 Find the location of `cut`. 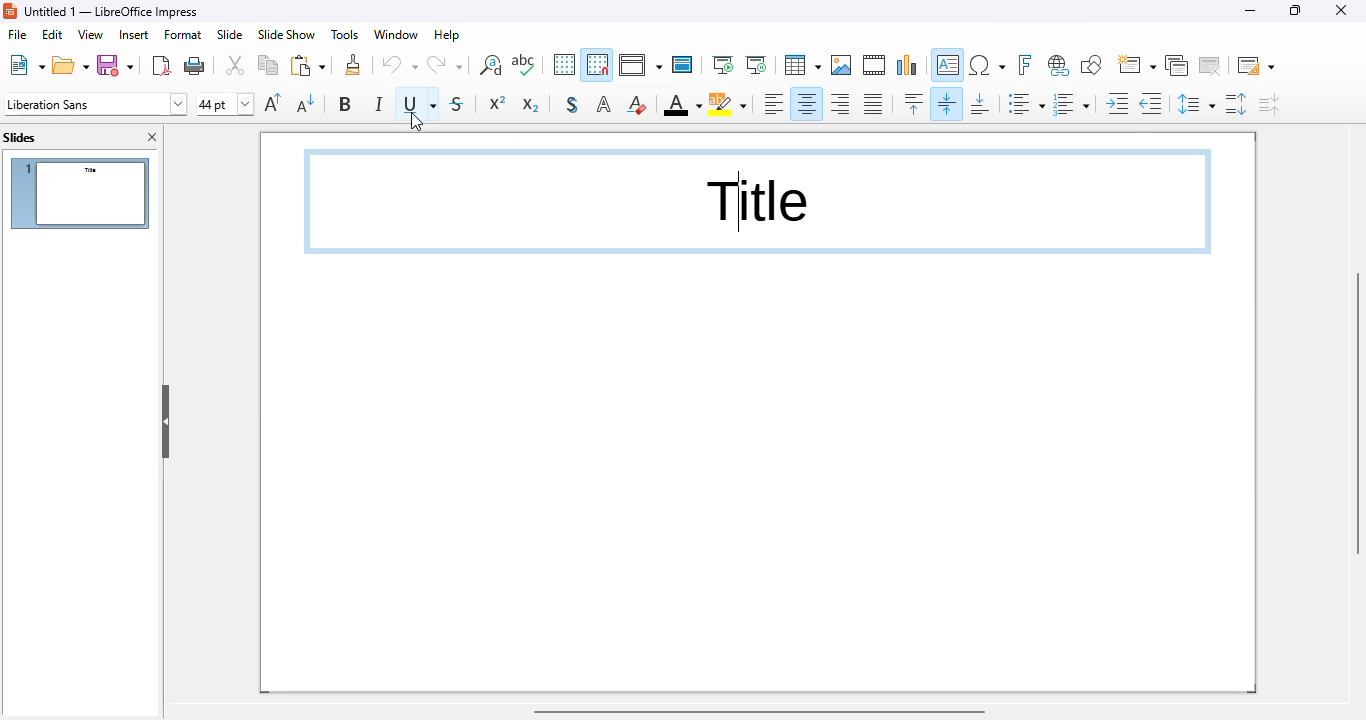

cut is located at coordinates (236, 66).